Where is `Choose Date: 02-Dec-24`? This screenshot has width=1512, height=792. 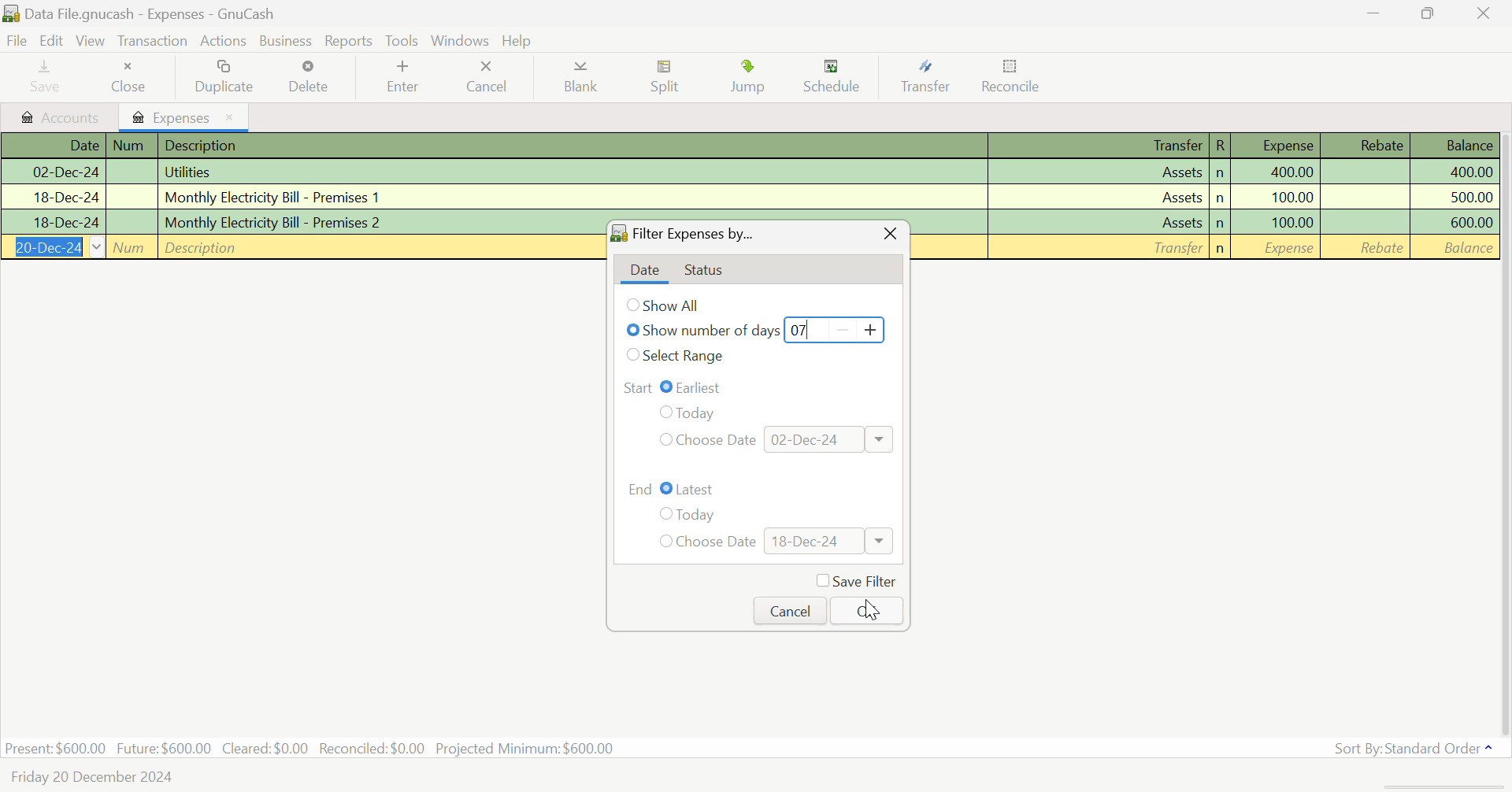
Choose Date: 02-Dec-24 is located at coordinates (773, 440).